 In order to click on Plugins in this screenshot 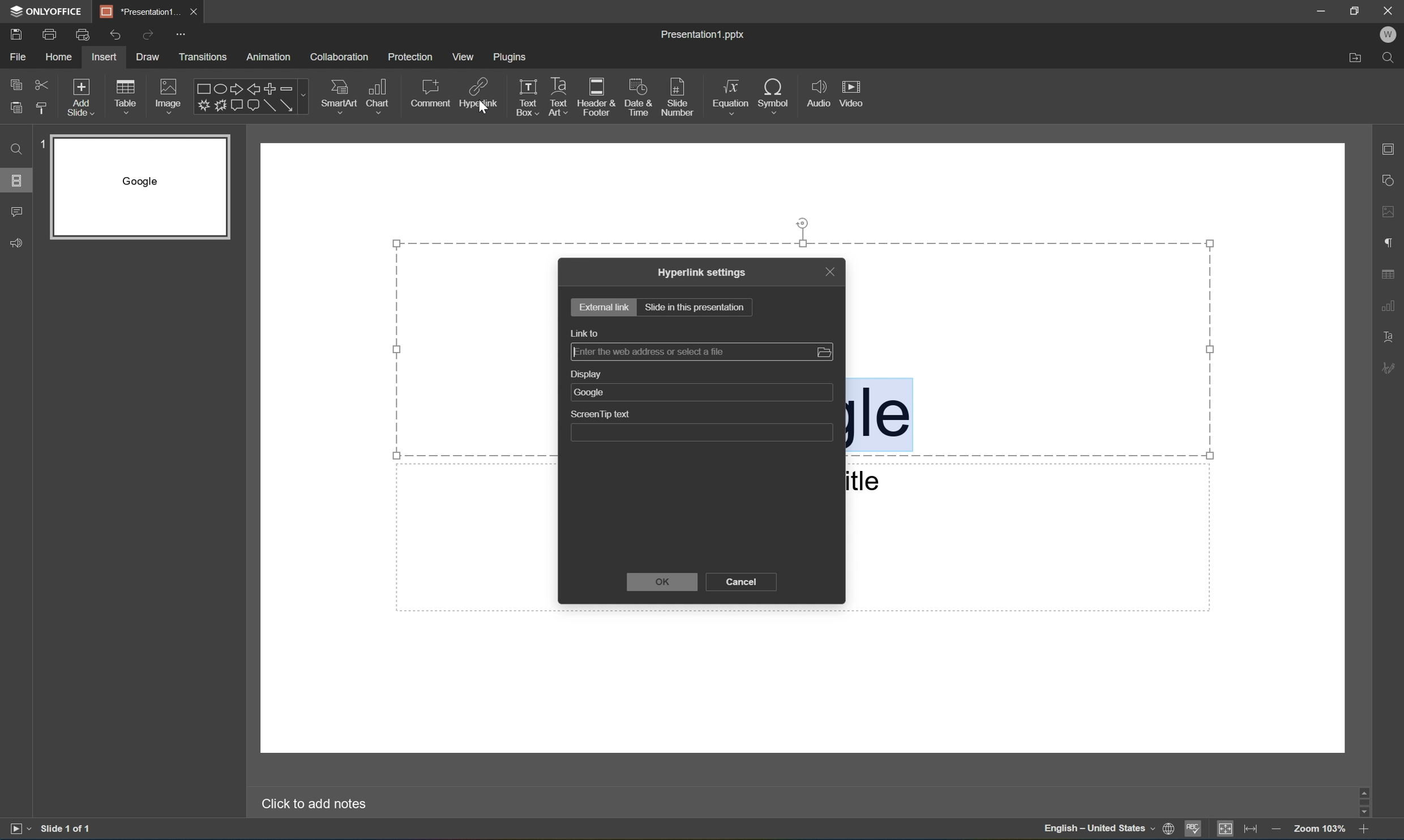, I will do `click(512, 58)`.